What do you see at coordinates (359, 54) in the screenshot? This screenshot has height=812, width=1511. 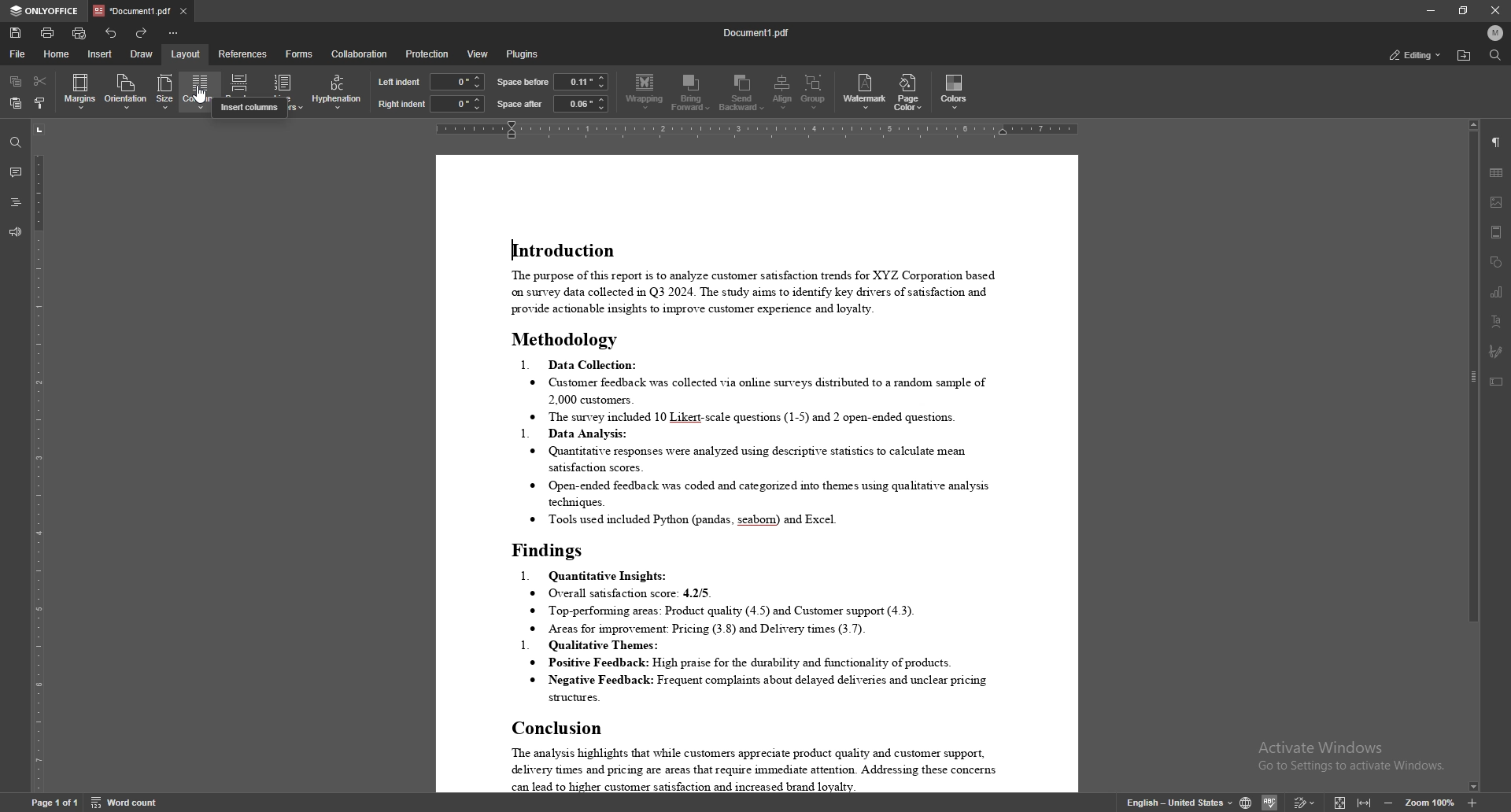 I see `collaboration` at bounding box center [359, 54].